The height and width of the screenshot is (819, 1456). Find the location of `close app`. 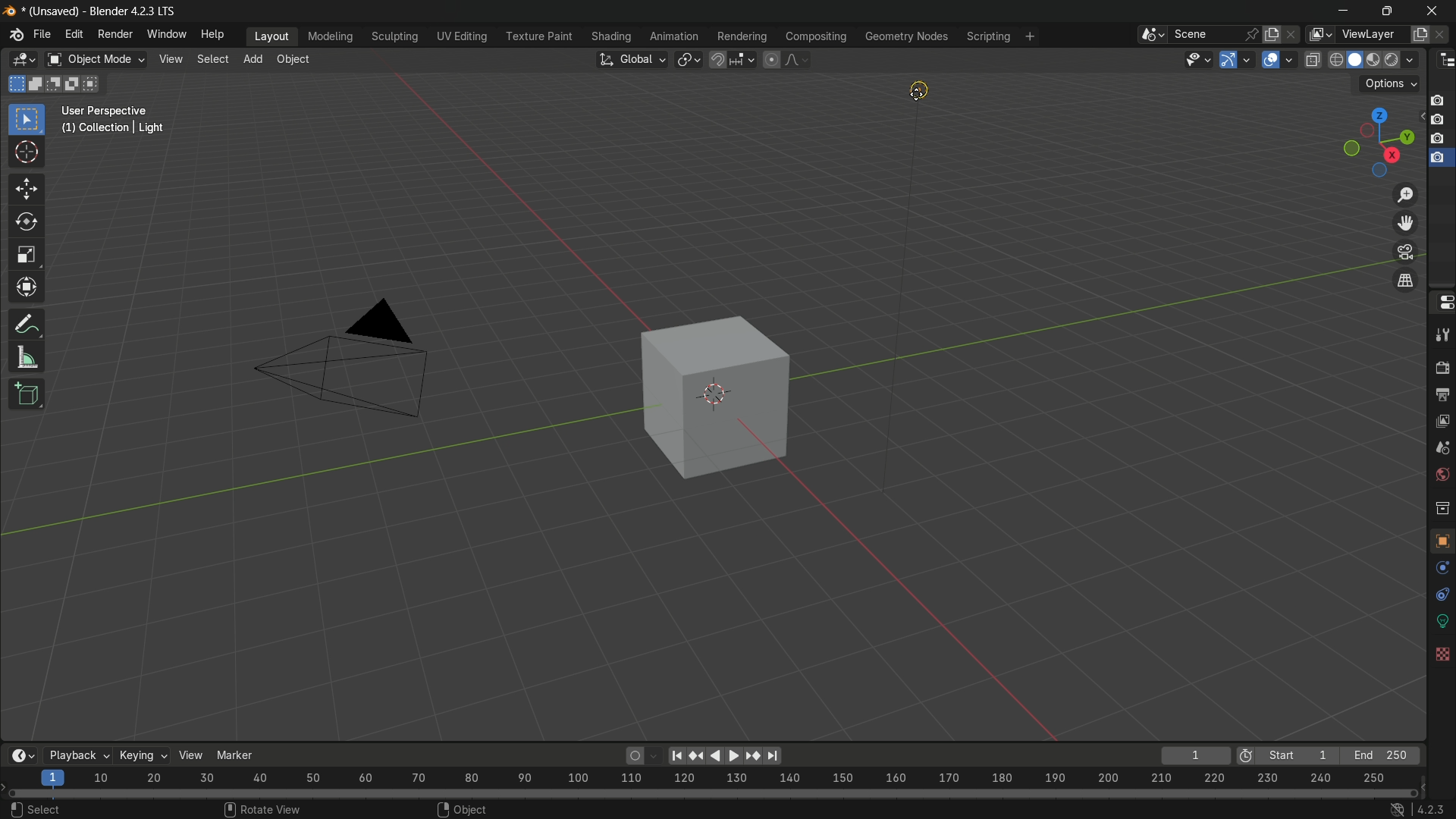

close app is located at coordinates (1427, 14).